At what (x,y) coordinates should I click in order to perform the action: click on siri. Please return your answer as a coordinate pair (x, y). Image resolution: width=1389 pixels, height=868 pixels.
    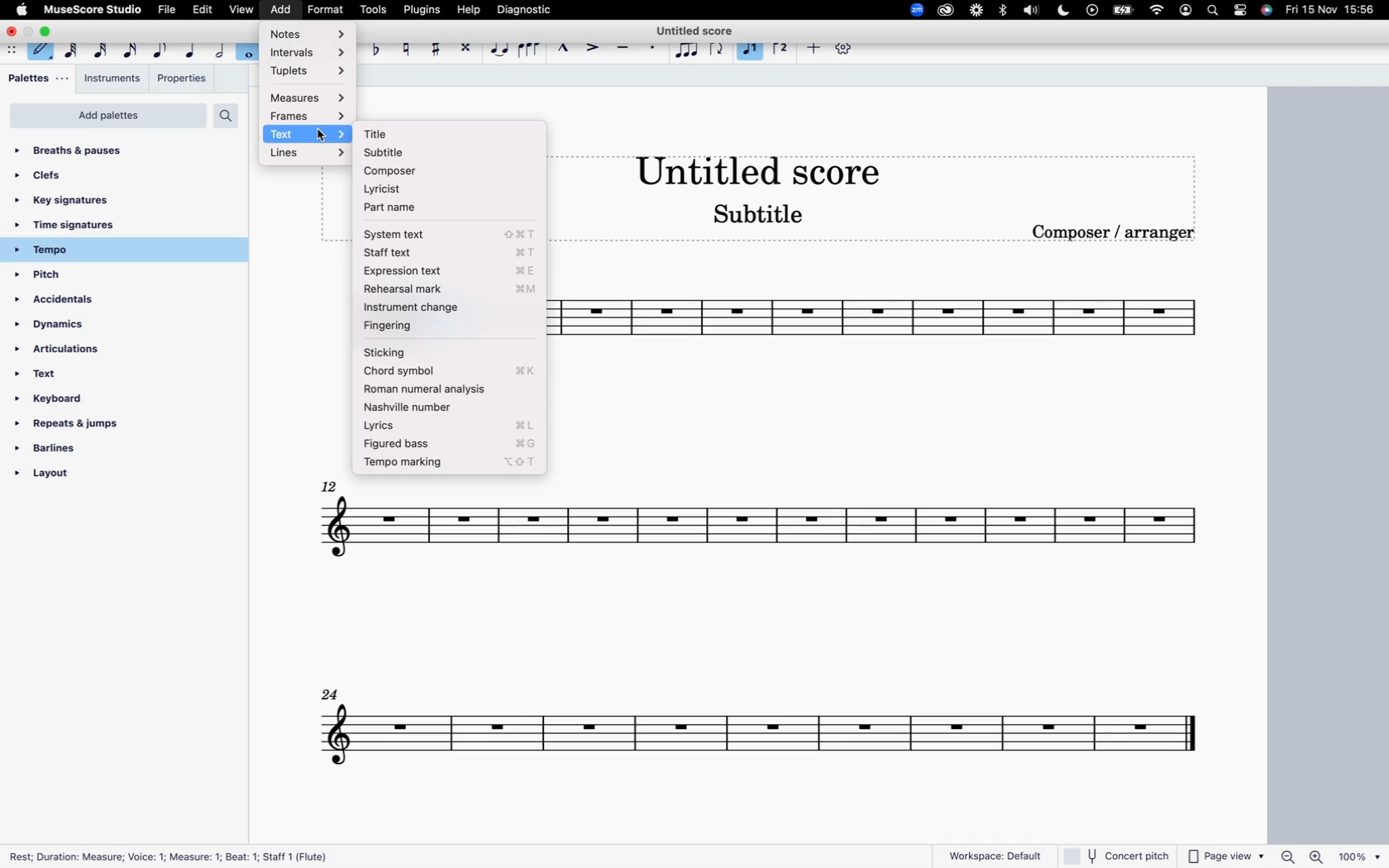
    Looking at the image, I should click on (1267, 10).